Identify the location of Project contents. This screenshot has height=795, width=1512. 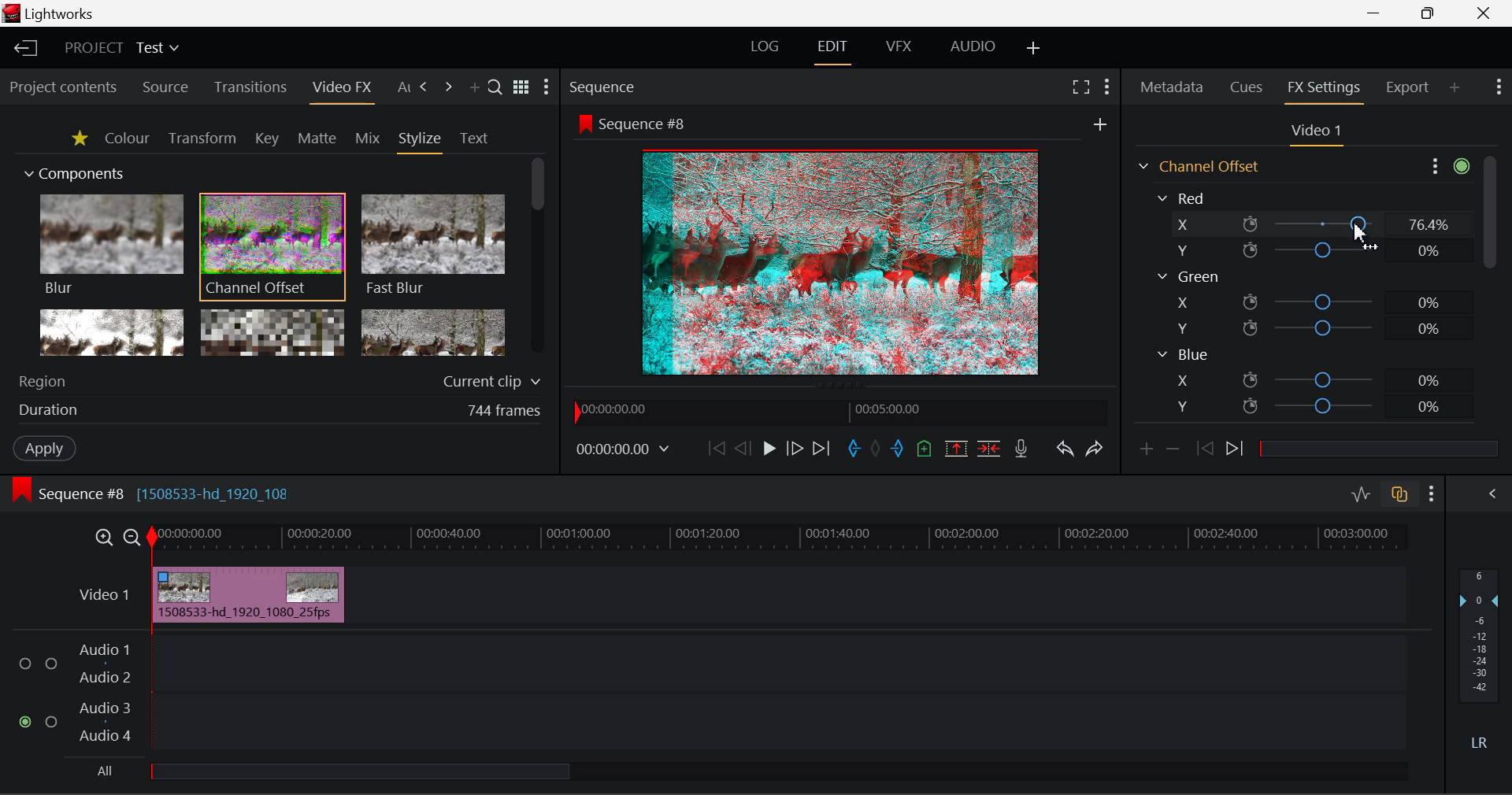
(62, 88).